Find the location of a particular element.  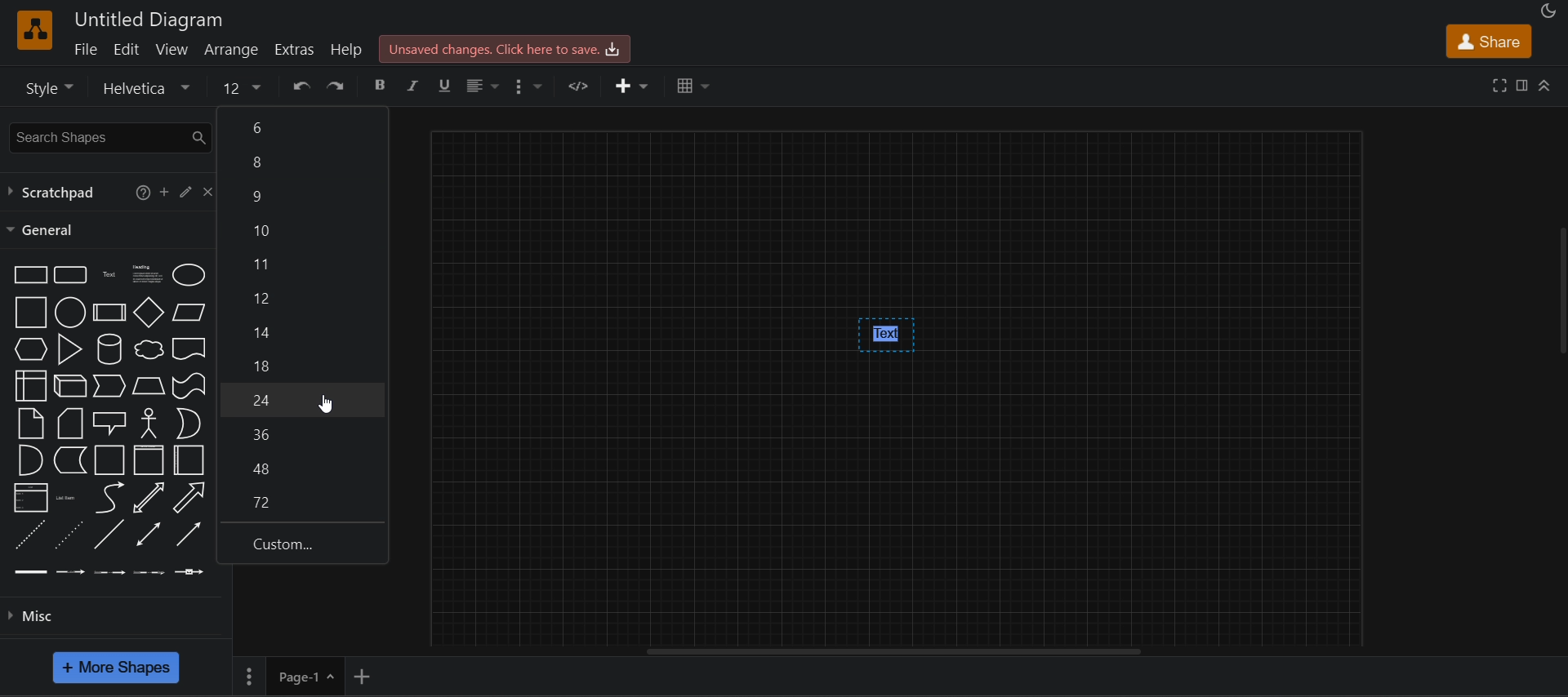

Cube is located at coordinates (70, 385).